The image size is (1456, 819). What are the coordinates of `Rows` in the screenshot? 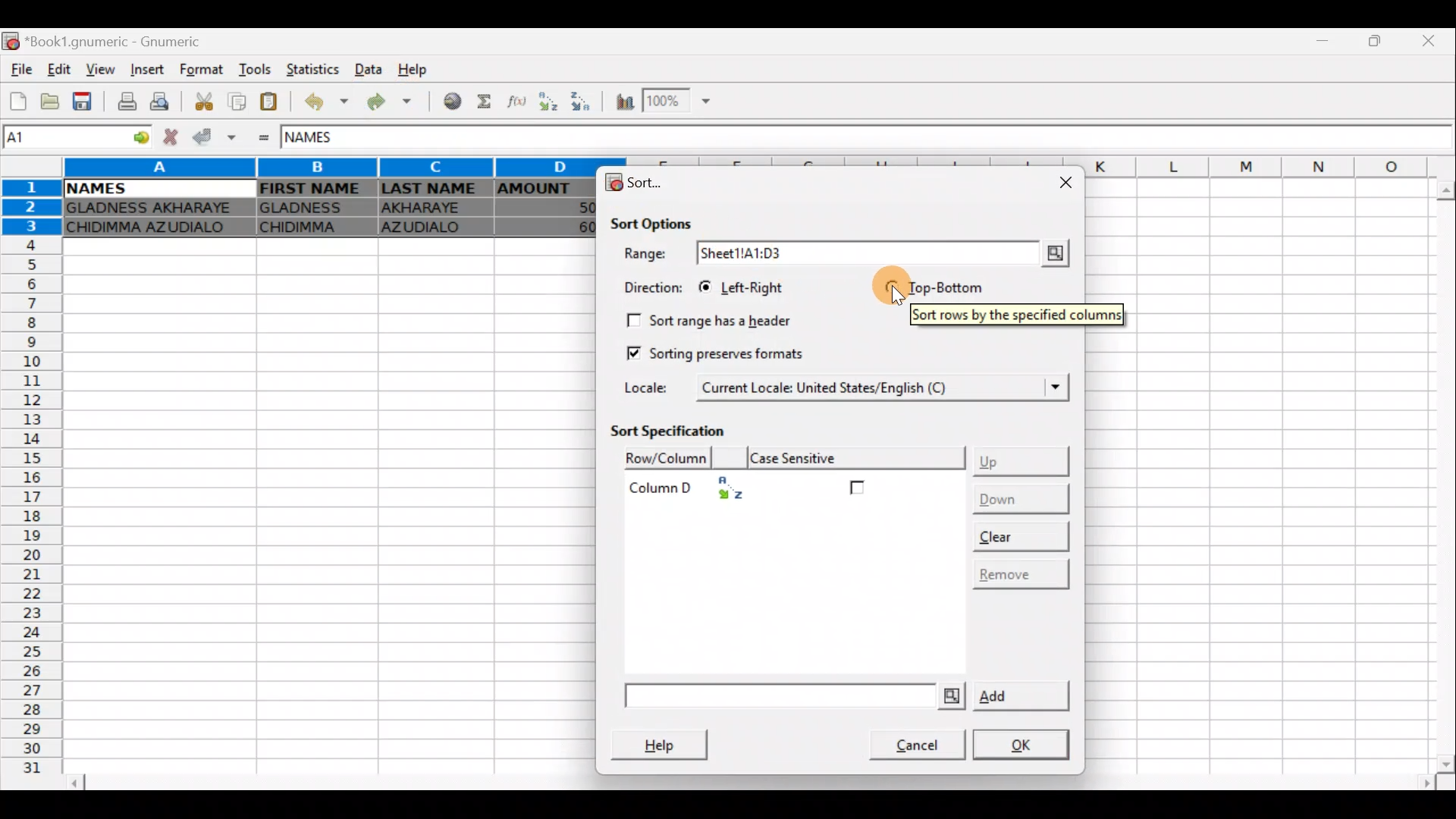 It's located at (29, 485).